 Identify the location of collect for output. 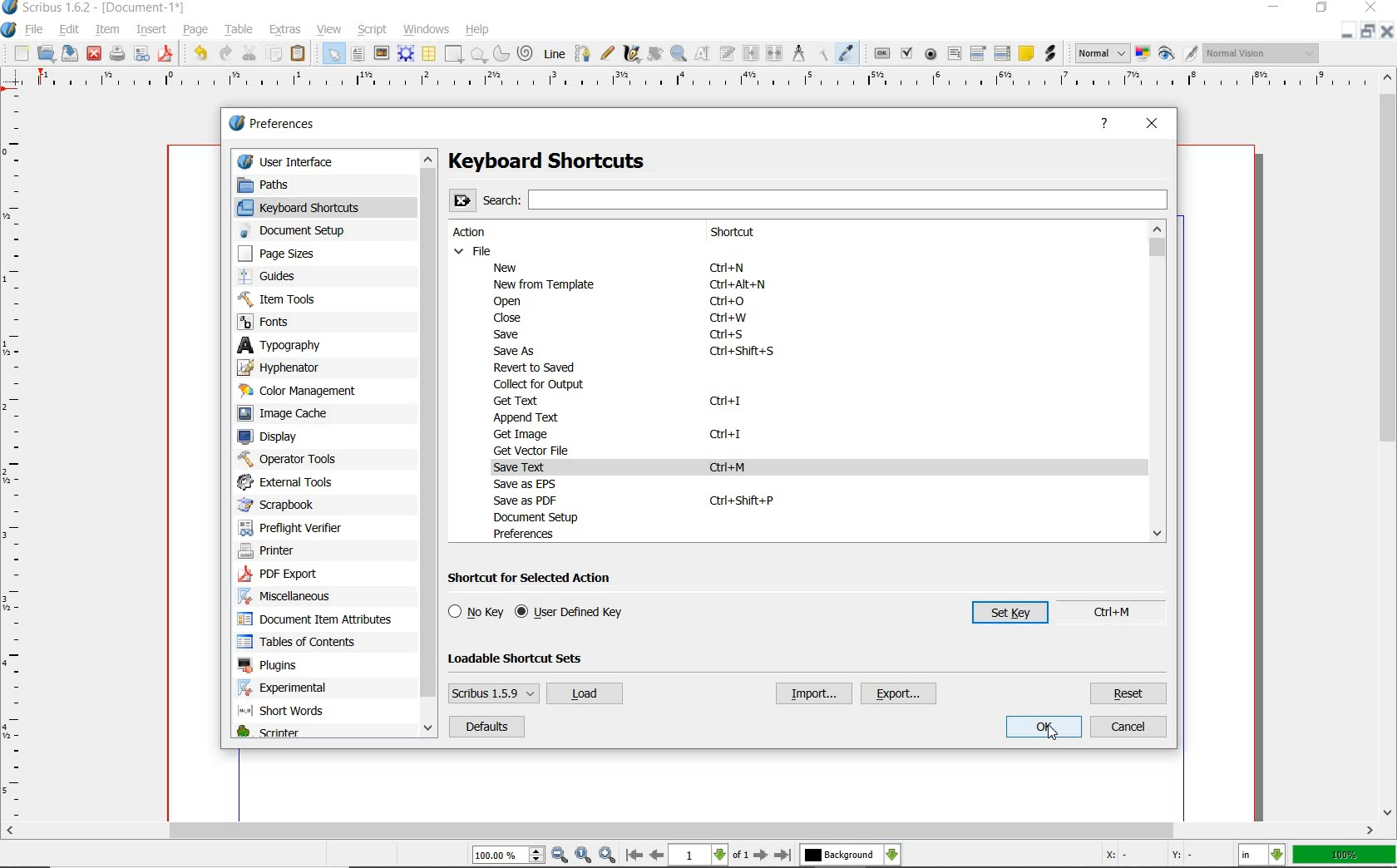
(542, 384).